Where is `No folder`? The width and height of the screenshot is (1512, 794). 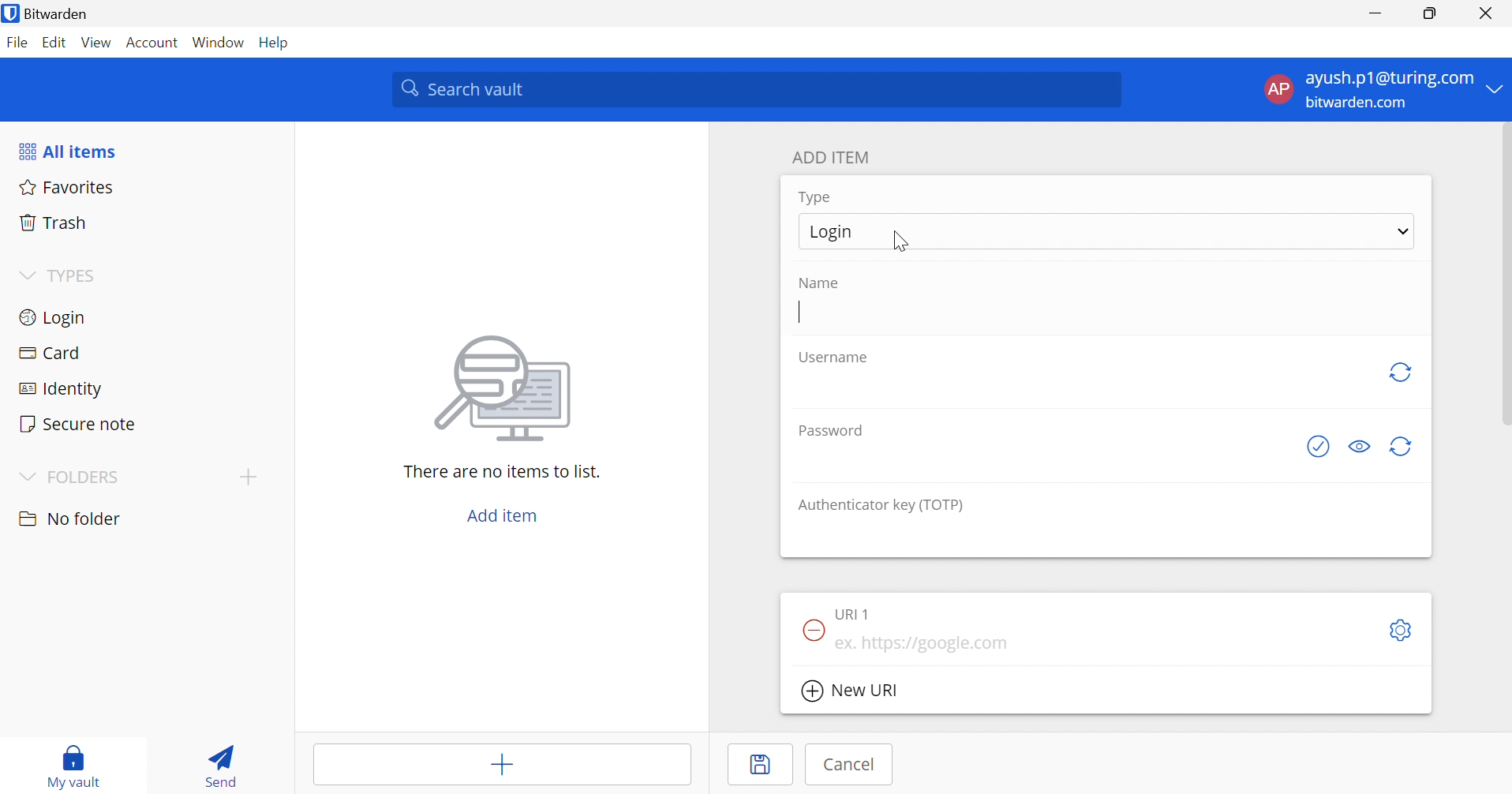 No folder is located at coordinates (73, 519).